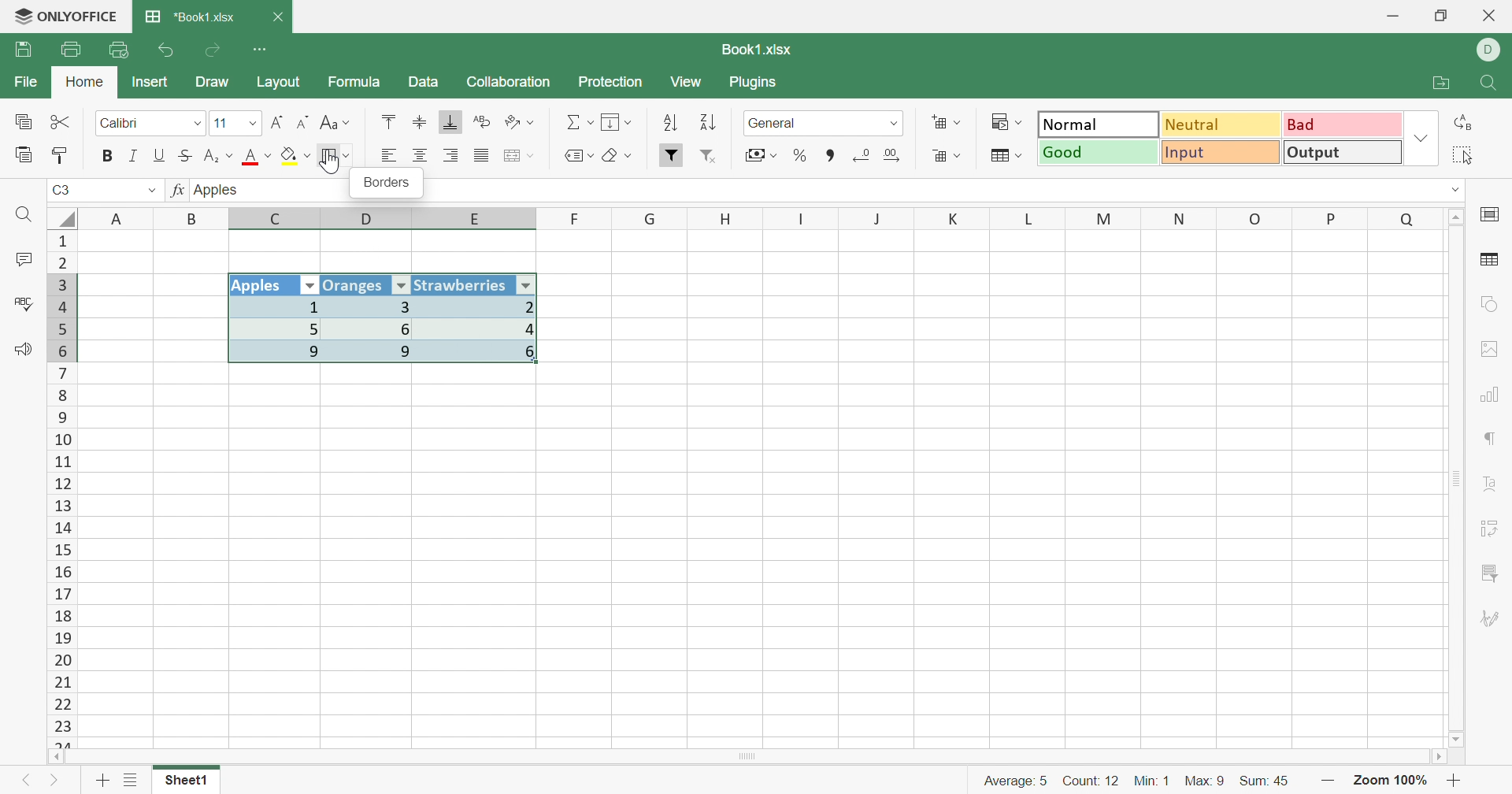  I want to click on Find, so click(1492, 84).